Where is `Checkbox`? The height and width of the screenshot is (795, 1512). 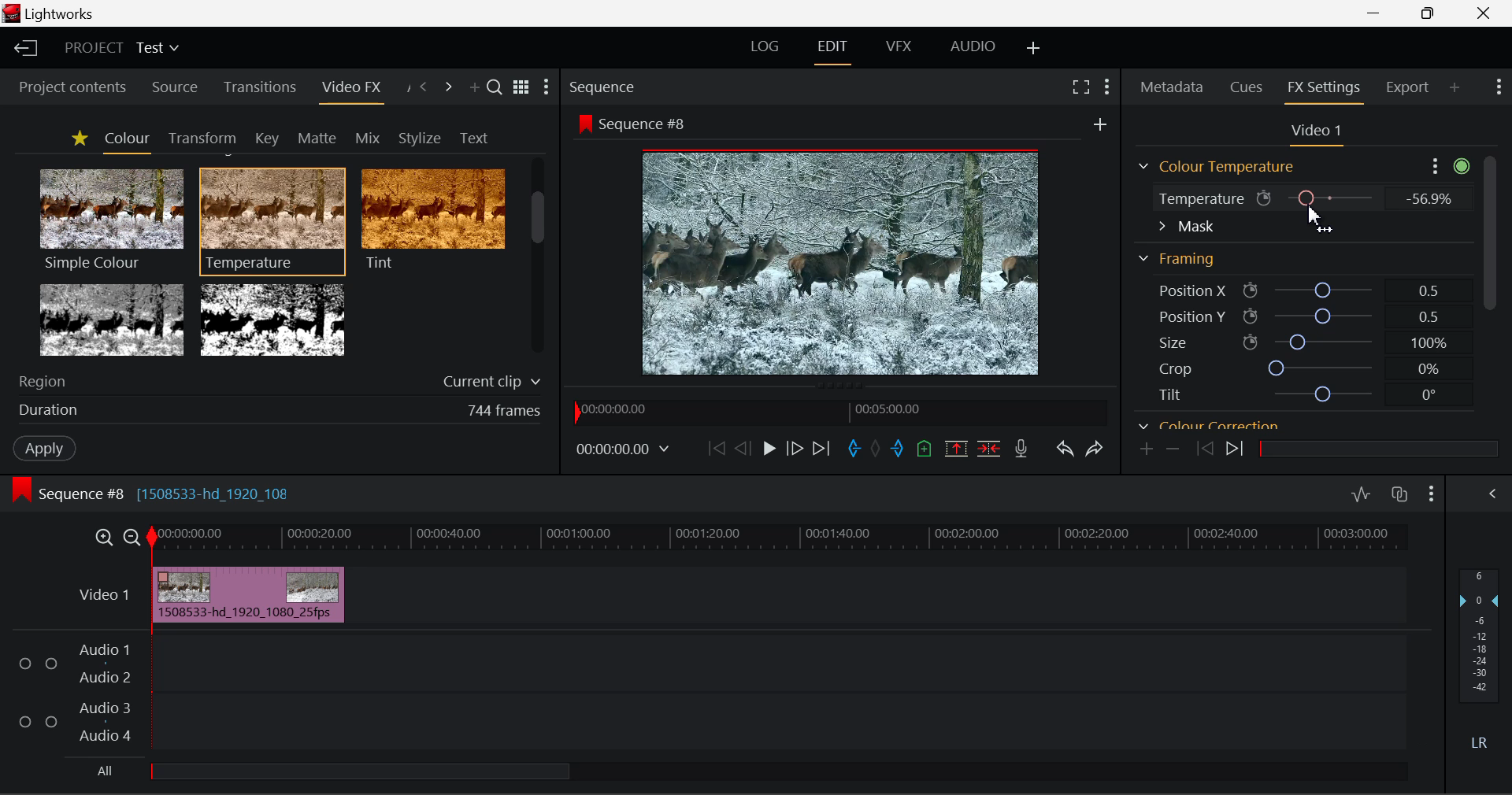
Checkbox is located at coordinates (52, 663).